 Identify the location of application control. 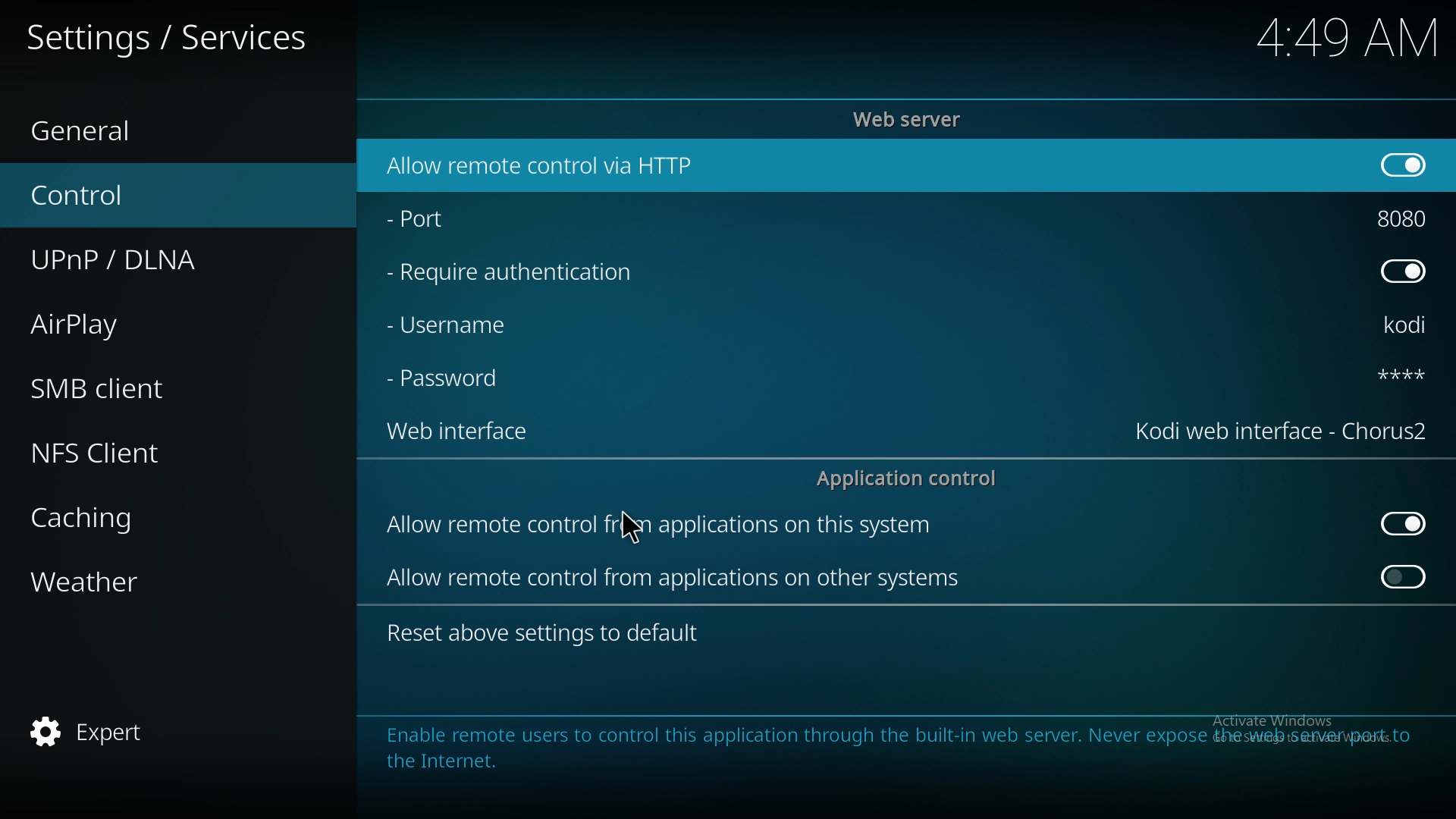
(912, 479).